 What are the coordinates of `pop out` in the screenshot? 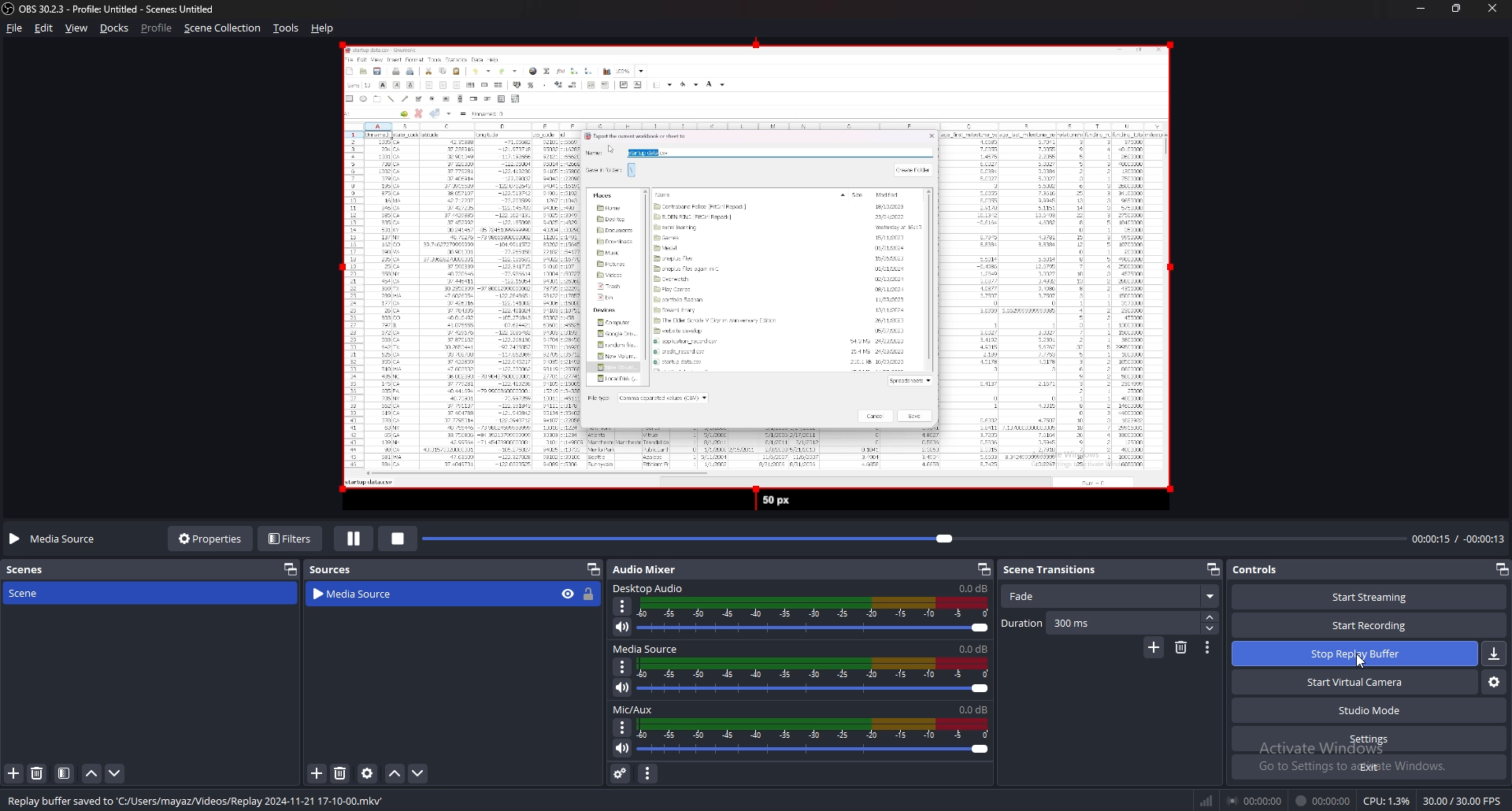 It's located at (1214, 568).